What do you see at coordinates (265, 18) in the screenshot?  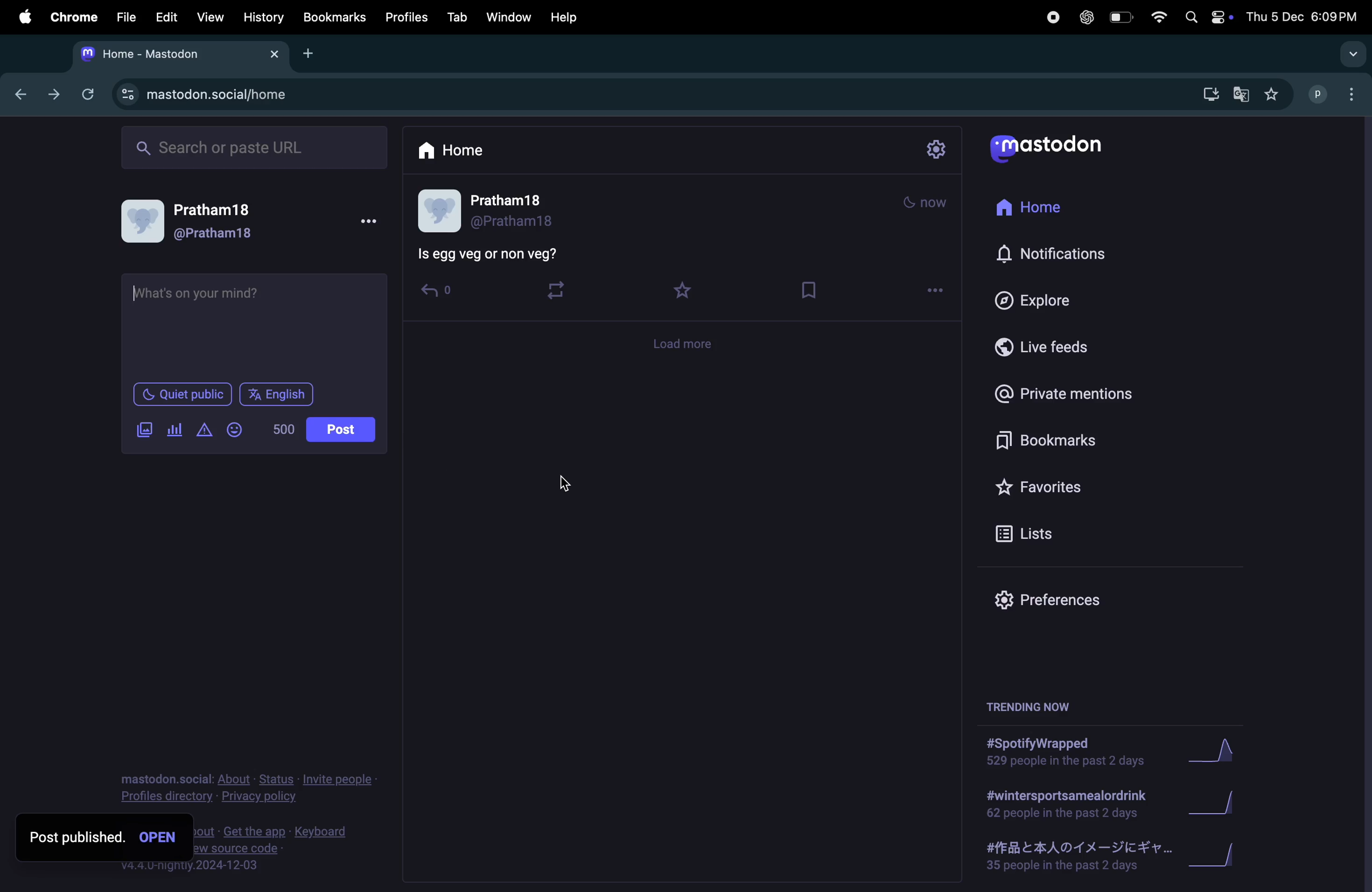 I see `history` at bounding box center [265, 18].